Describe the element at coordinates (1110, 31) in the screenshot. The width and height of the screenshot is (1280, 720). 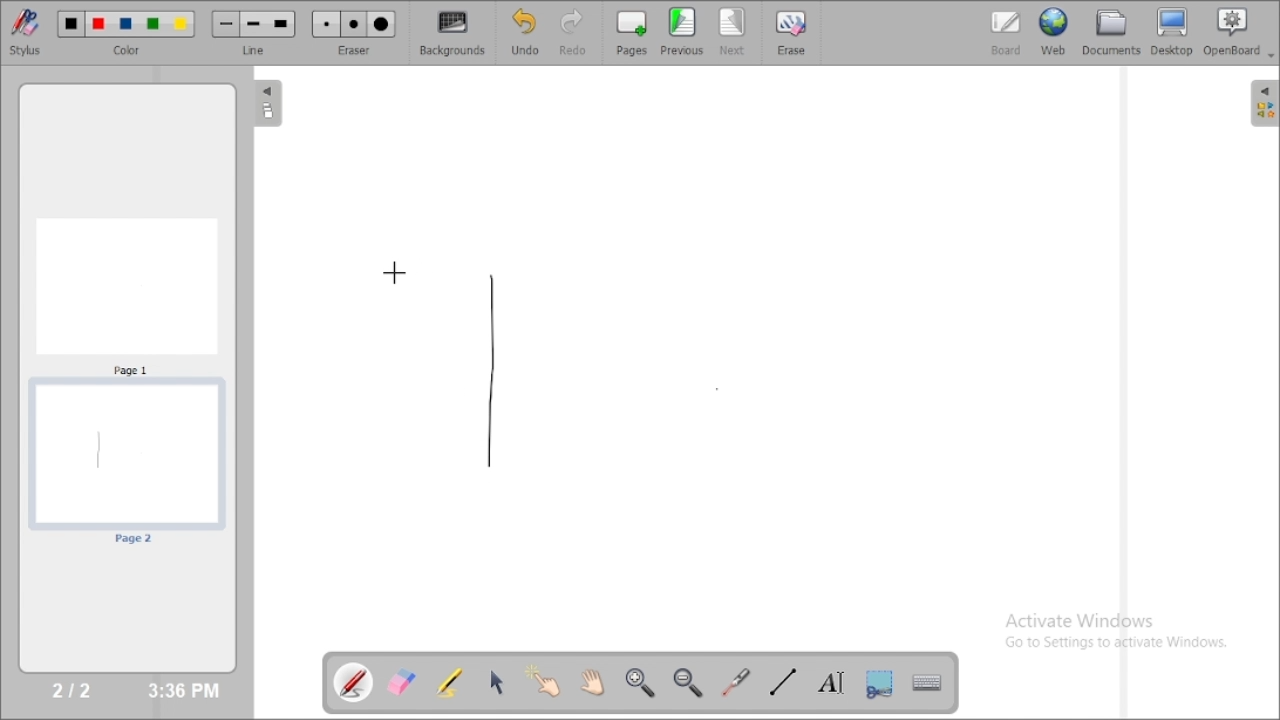
I see `documents` at that location.